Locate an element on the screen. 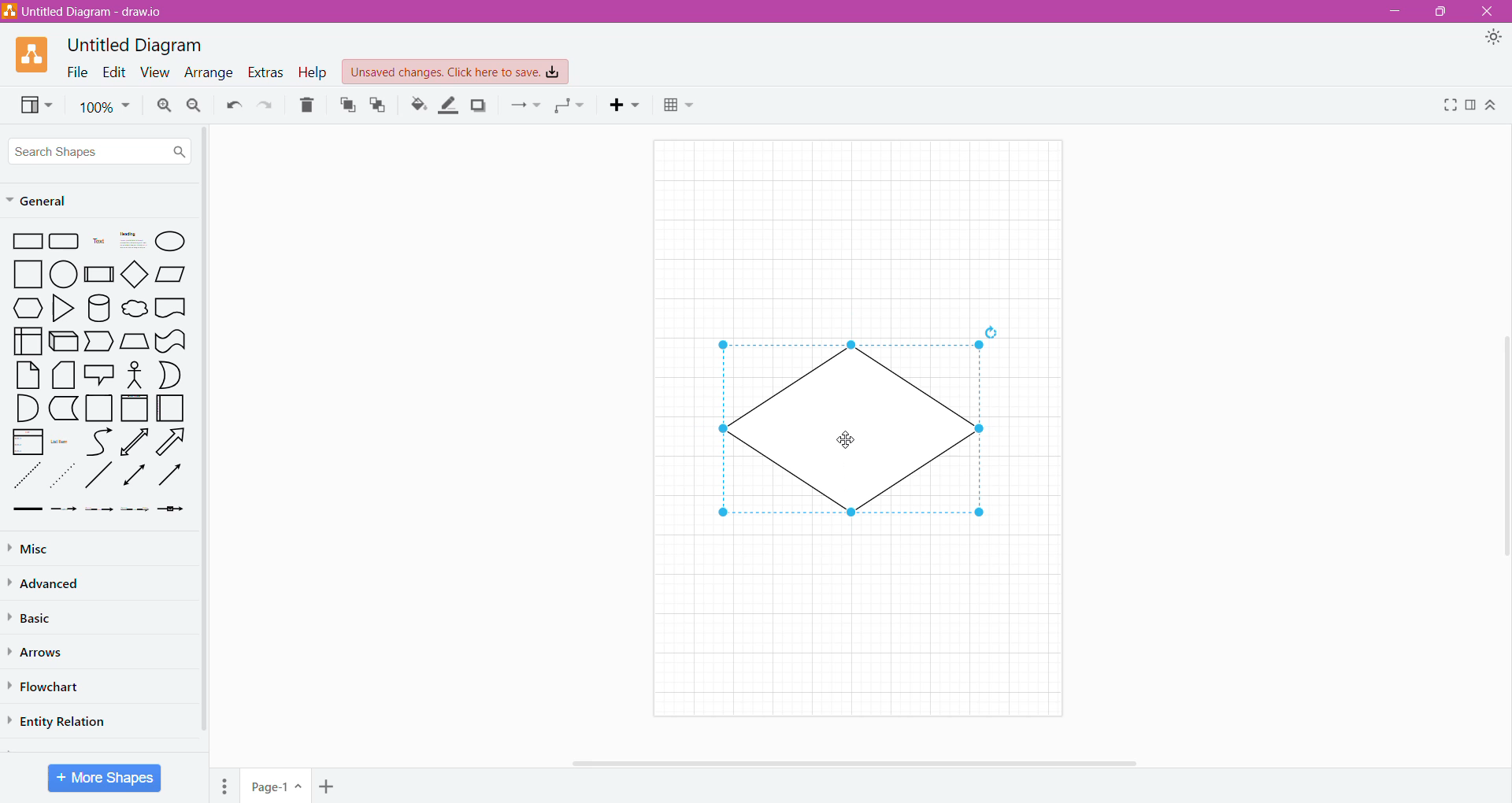  Document is located at coordinates (171, 309).